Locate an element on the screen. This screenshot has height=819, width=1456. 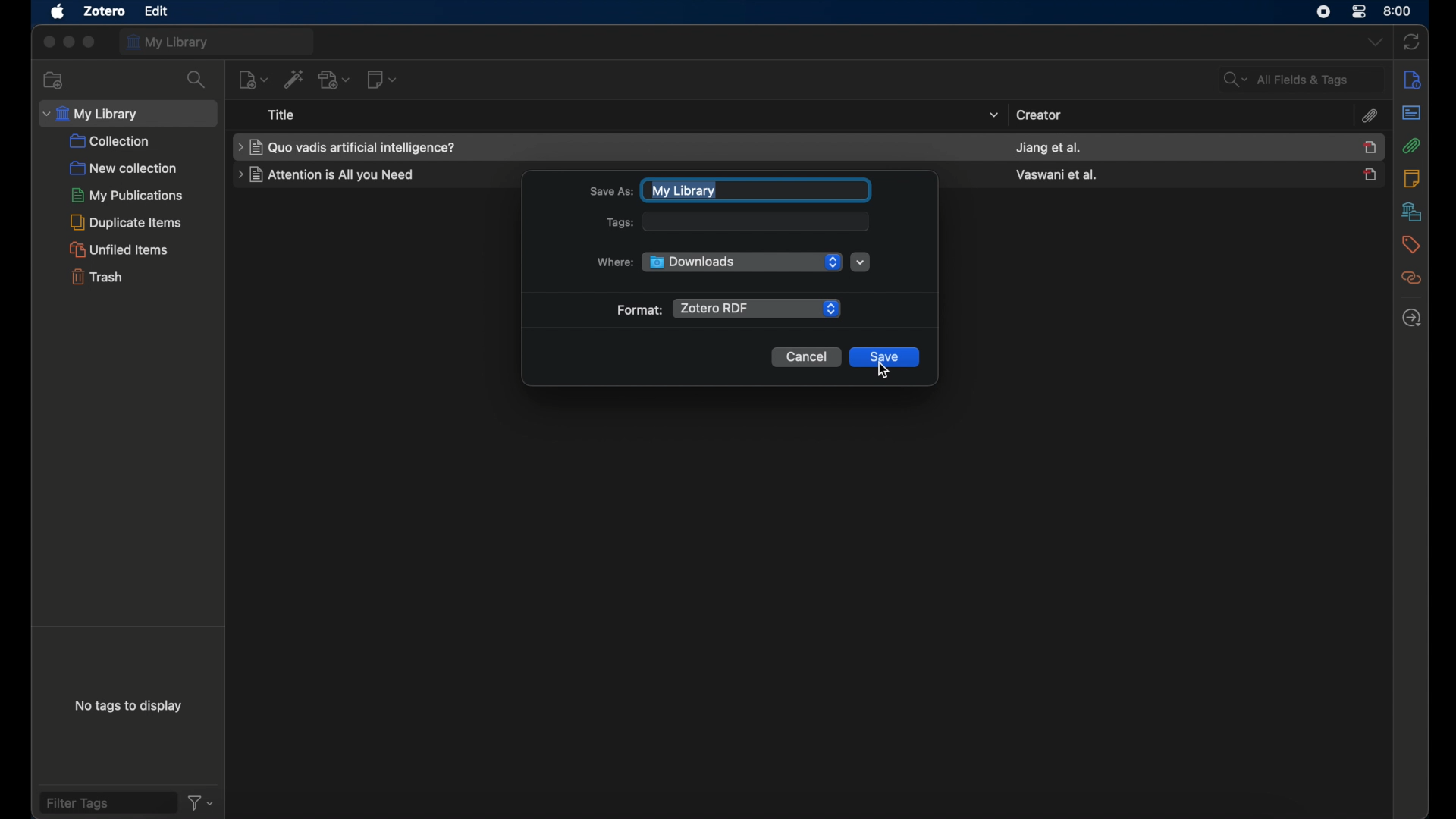
filter dropdown  is located at coordinates (202, 802).